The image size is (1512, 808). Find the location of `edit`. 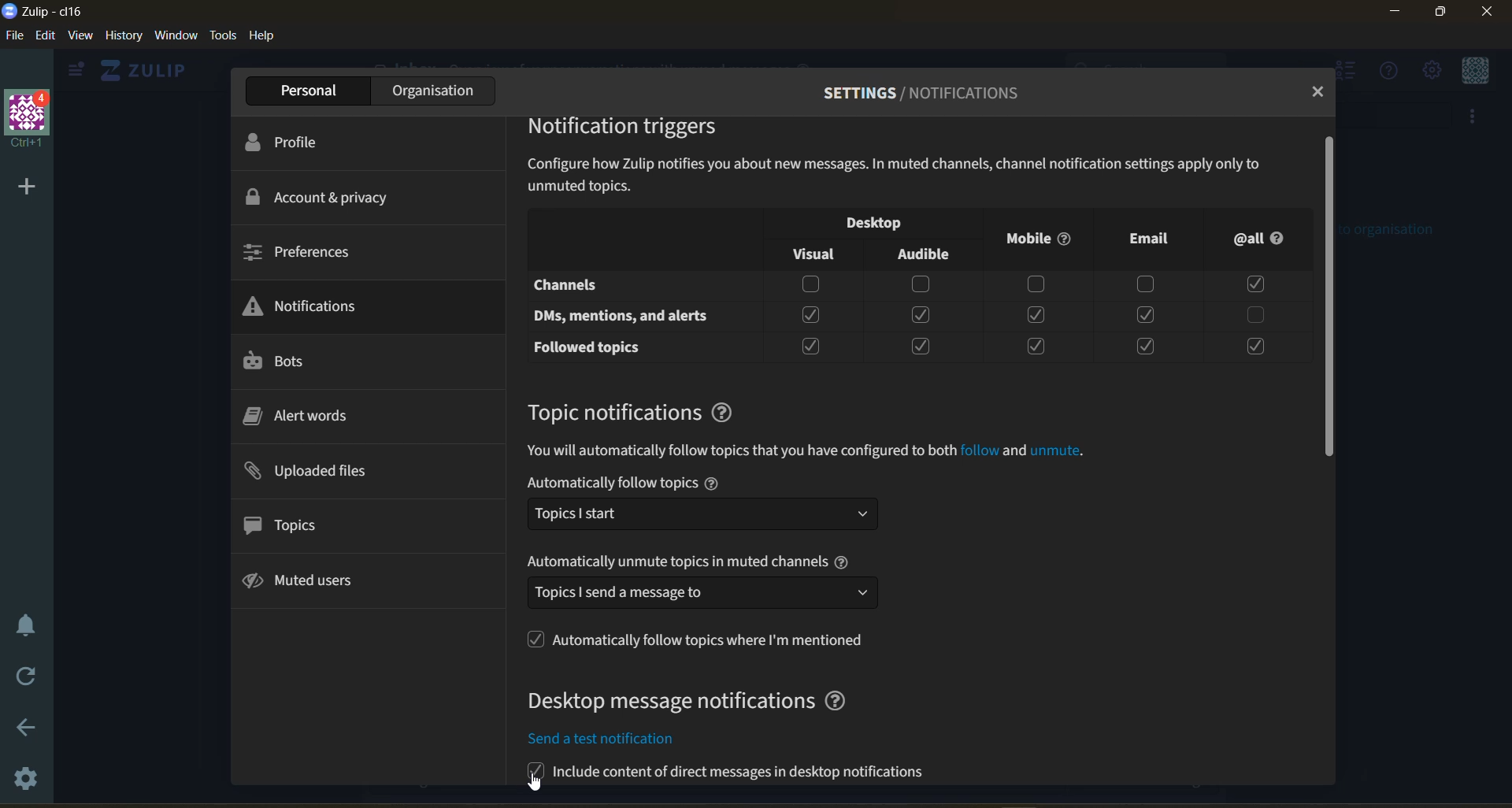

edit is located at coordinates (45, 36).